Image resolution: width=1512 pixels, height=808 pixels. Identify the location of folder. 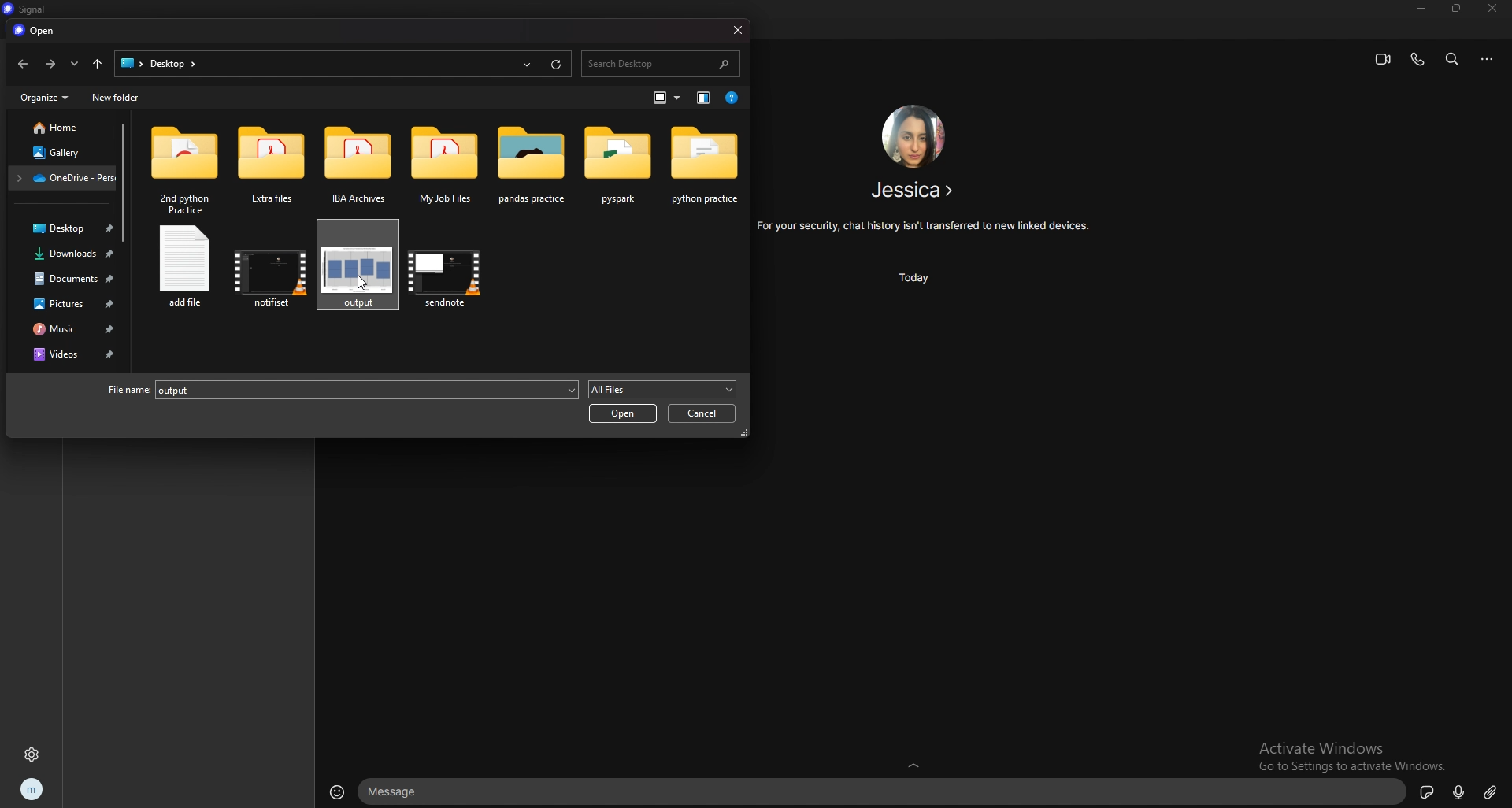
(359, 159).